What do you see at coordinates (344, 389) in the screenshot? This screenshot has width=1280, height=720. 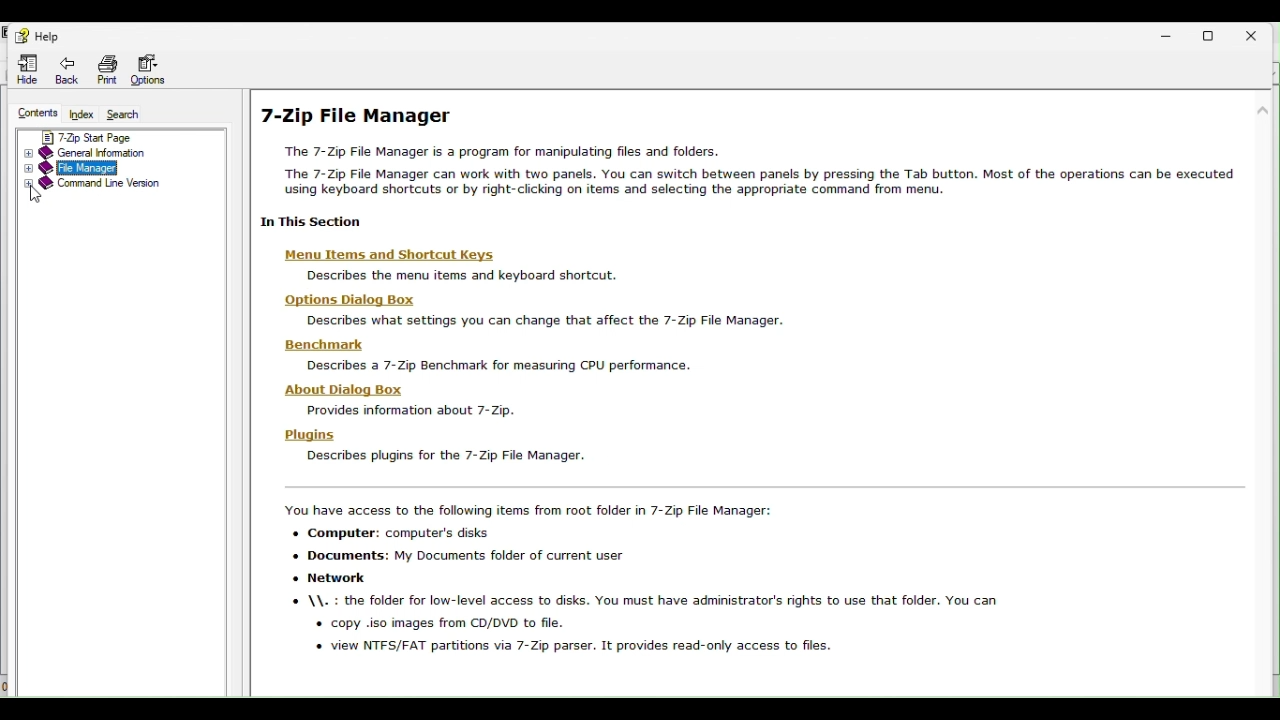 I see `| About Dialog Box` at bounding box center [344, 389].